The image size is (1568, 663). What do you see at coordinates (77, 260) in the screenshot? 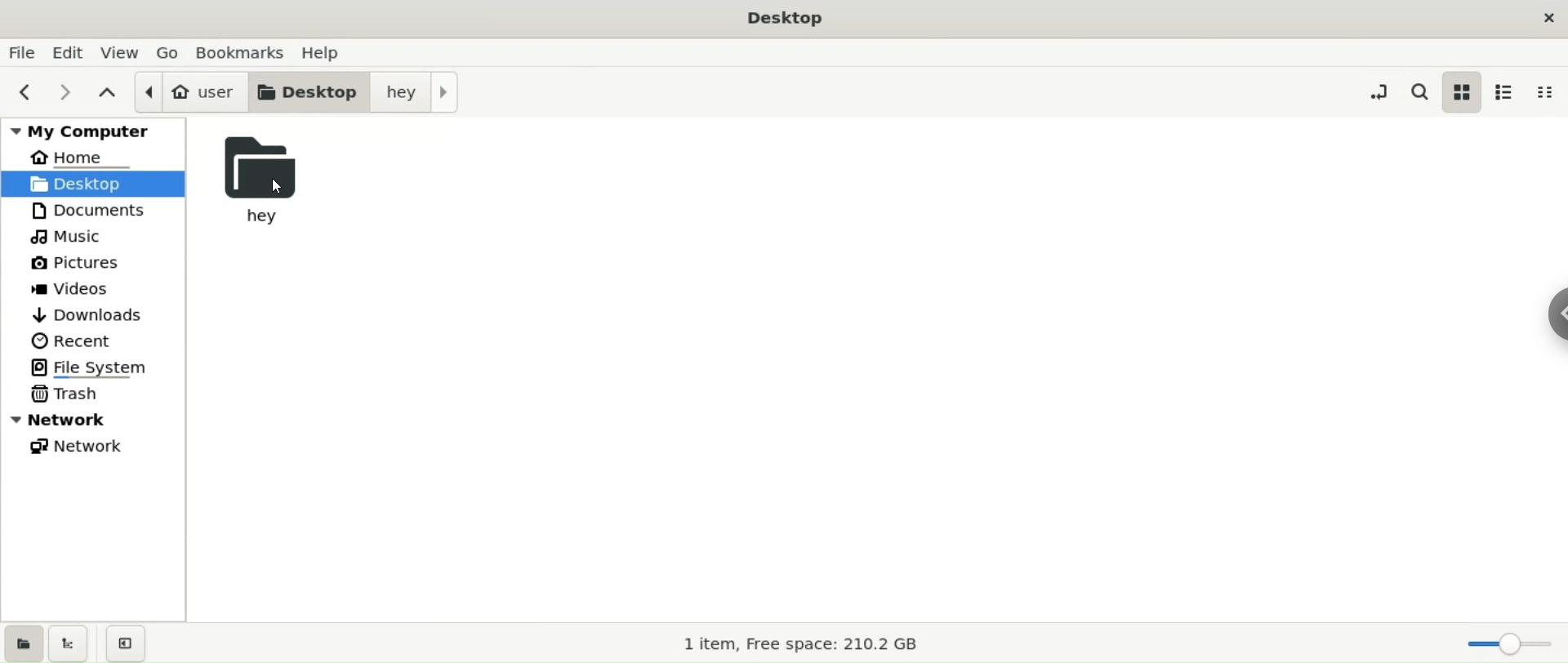
I see `pictures` at bounding box center [77, 260].